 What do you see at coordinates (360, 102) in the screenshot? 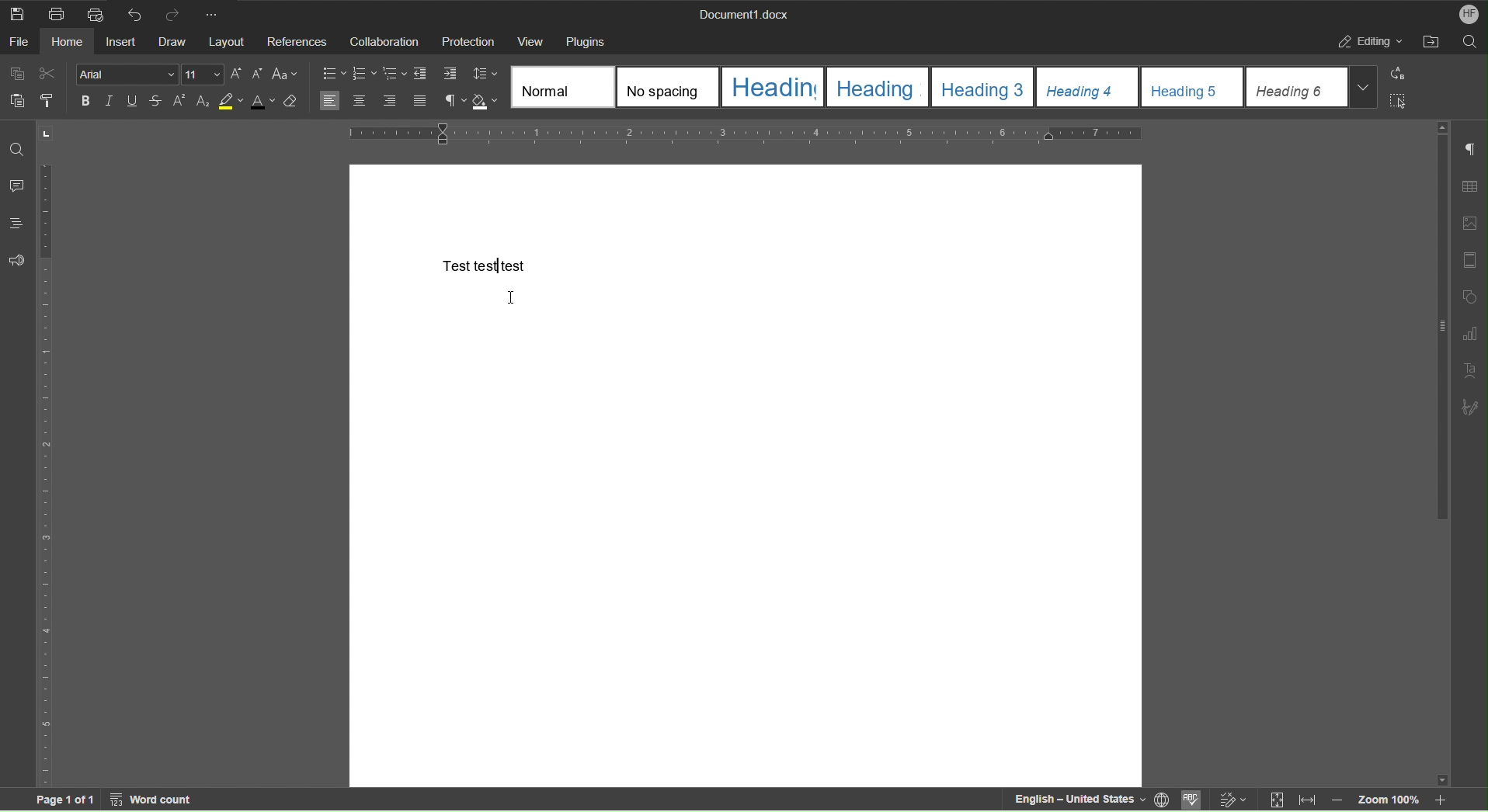
I see `Centre Align` at bounding box center [360, 102].